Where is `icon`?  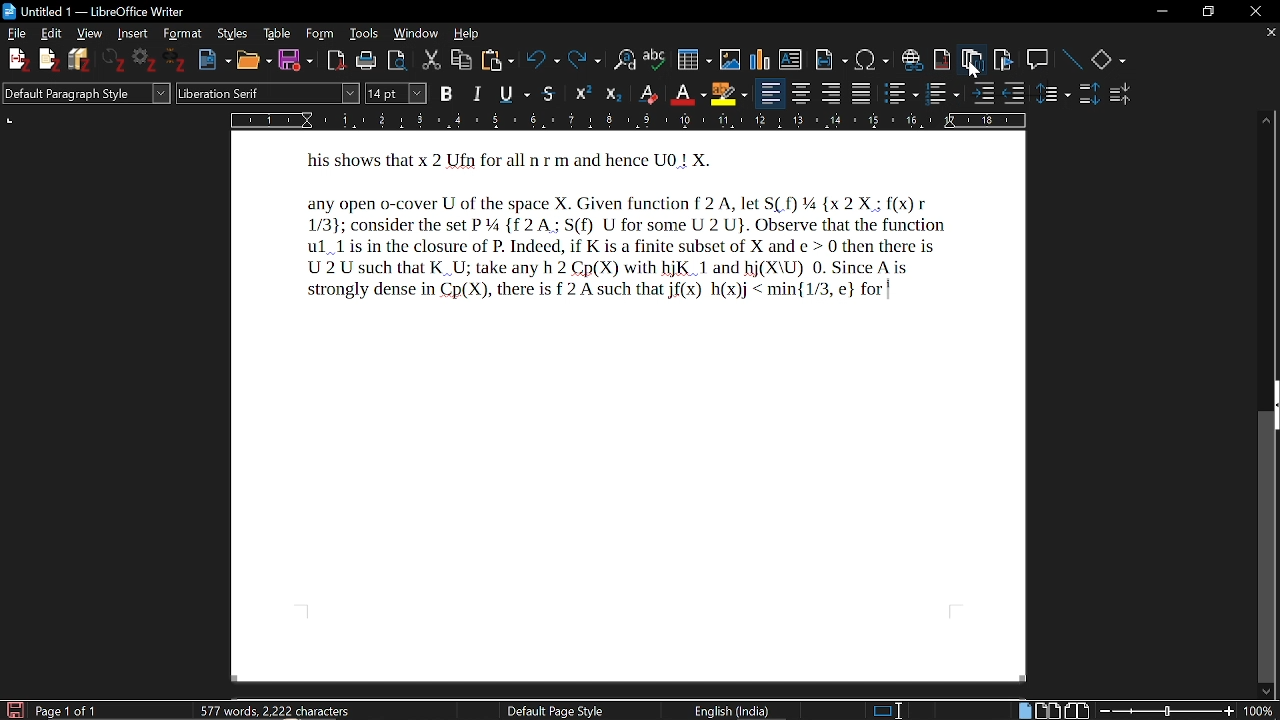 icon is located at coordinates (9, 12).